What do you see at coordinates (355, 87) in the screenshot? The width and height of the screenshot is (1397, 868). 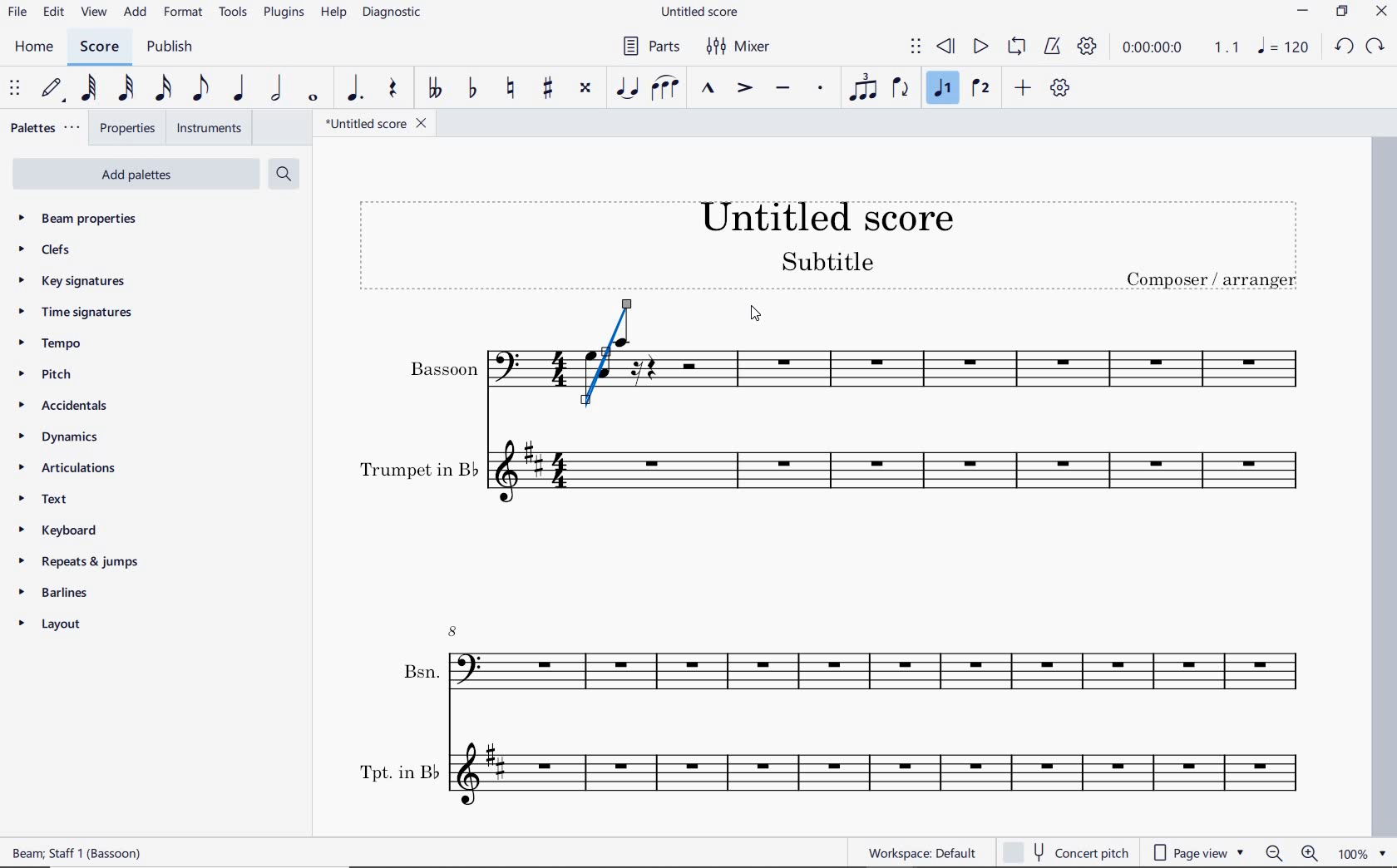 I see `augmentation dot` at bounding box center [355, 87].